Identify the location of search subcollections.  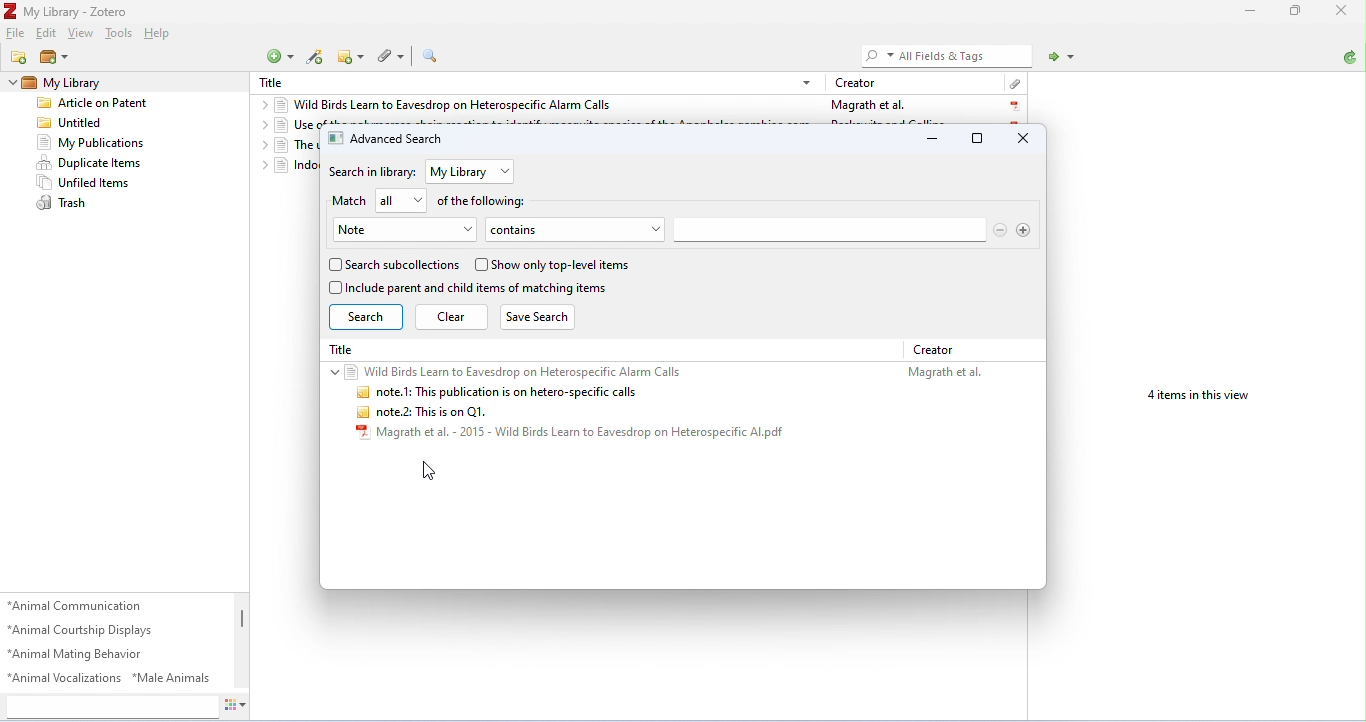
(402, 265).